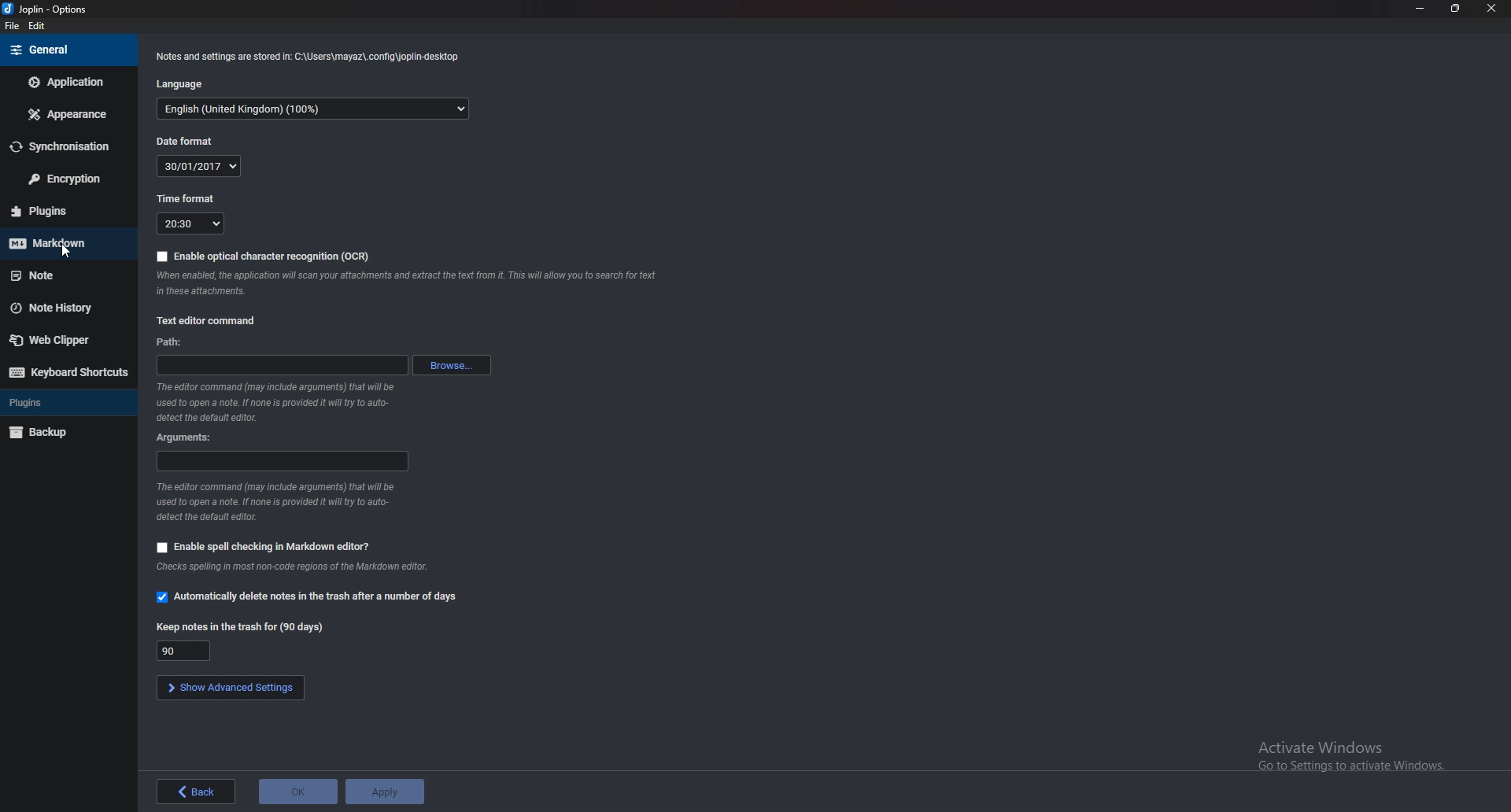  What do you see at coordinates (172, 341) in the screenshot?
I see `path` at bounding box center [172, 341].